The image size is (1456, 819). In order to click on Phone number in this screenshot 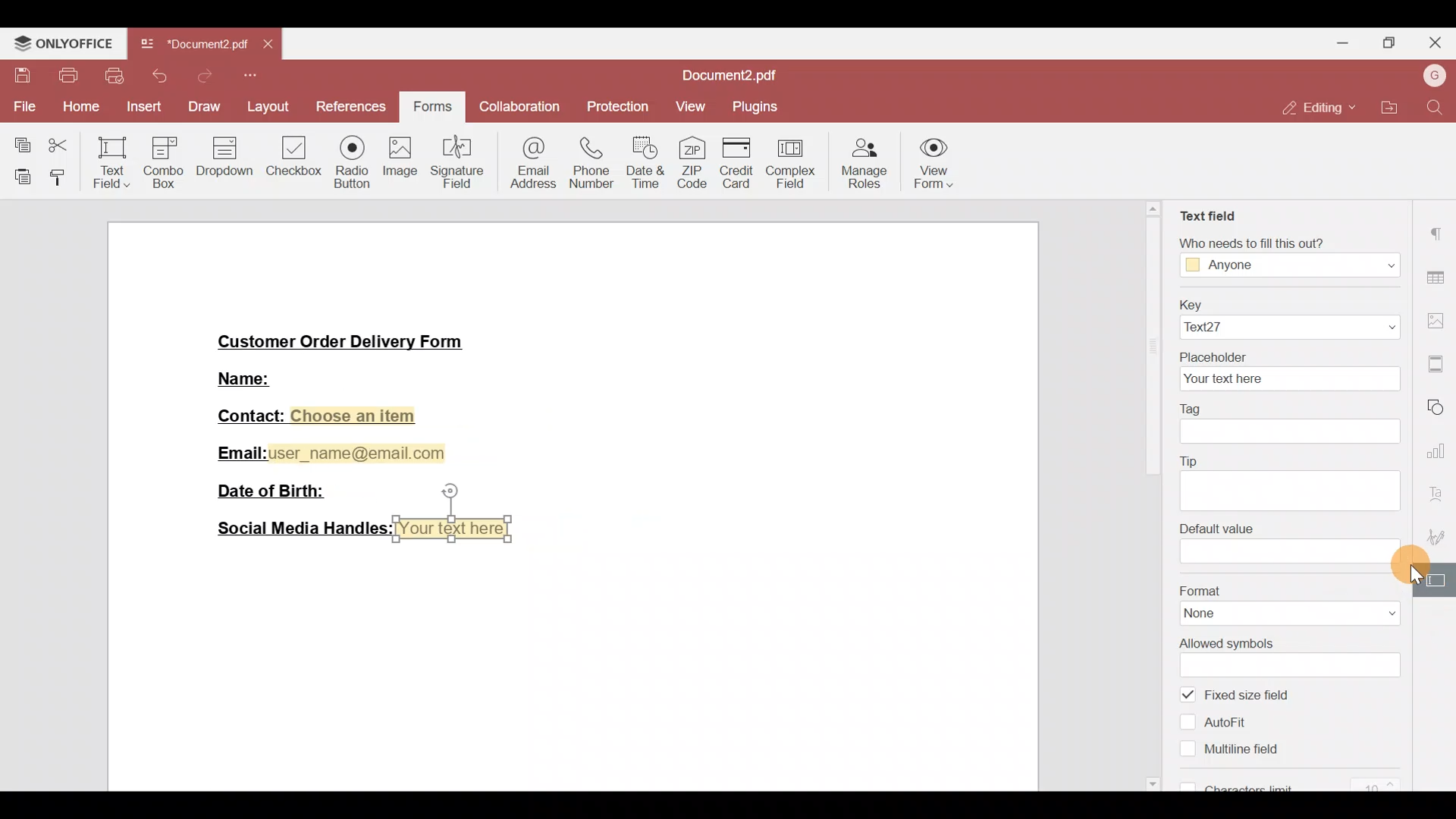, I will do `click(586, 163)`.